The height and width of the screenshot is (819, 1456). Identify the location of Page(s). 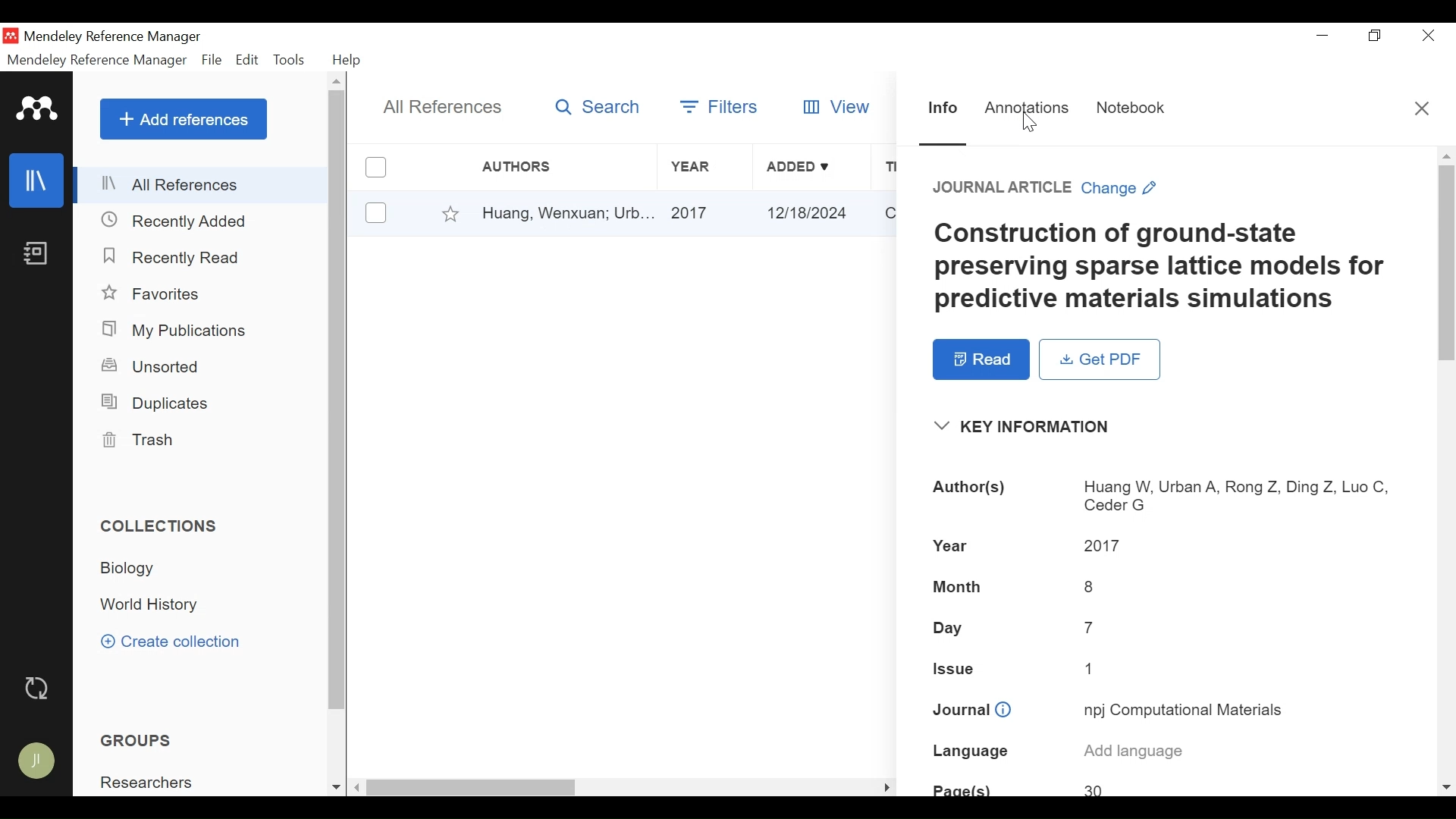
(962, 788).